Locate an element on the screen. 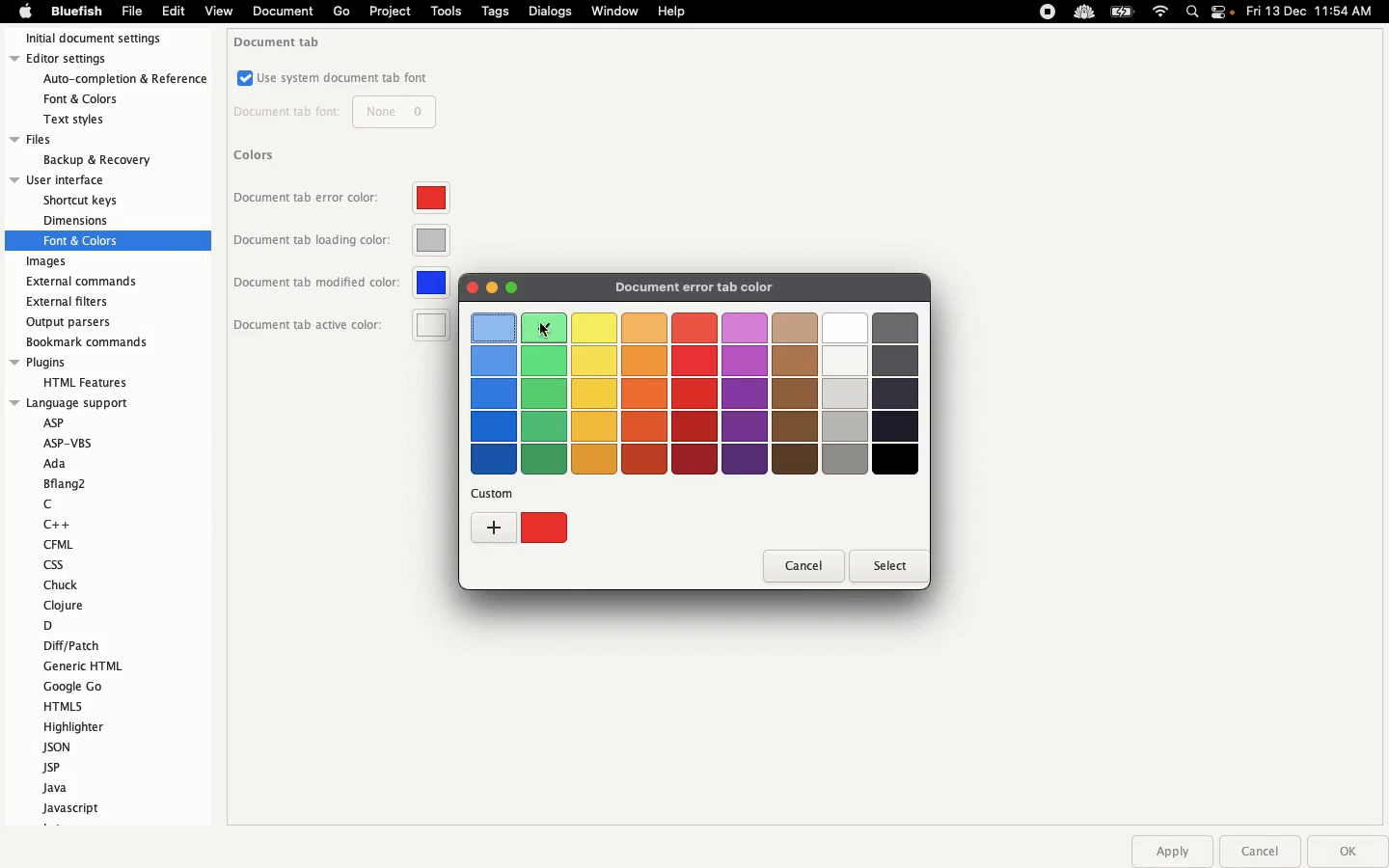 The width and height of the screenshot is (1389, 868). Document tab font is located at coordinates (334, 113).